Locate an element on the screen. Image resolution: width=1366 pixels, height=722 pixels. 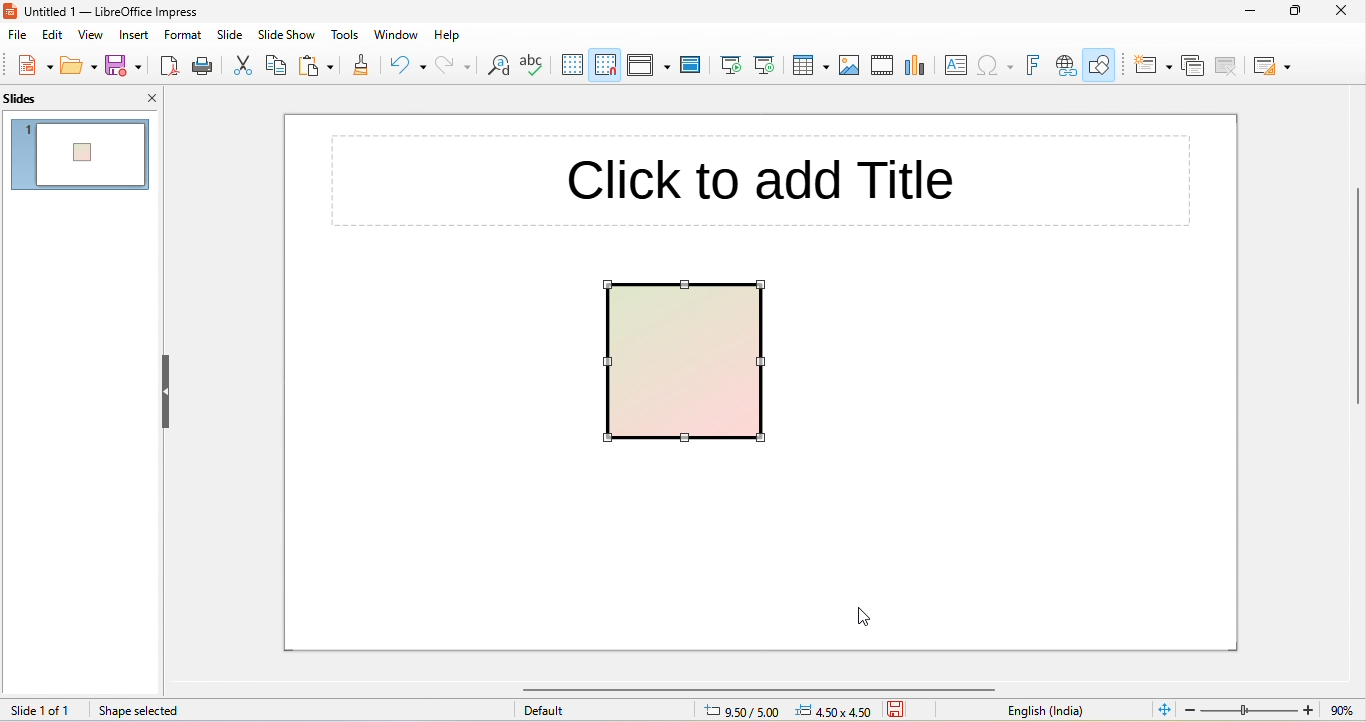
copy is located at coordinates (277, 63).